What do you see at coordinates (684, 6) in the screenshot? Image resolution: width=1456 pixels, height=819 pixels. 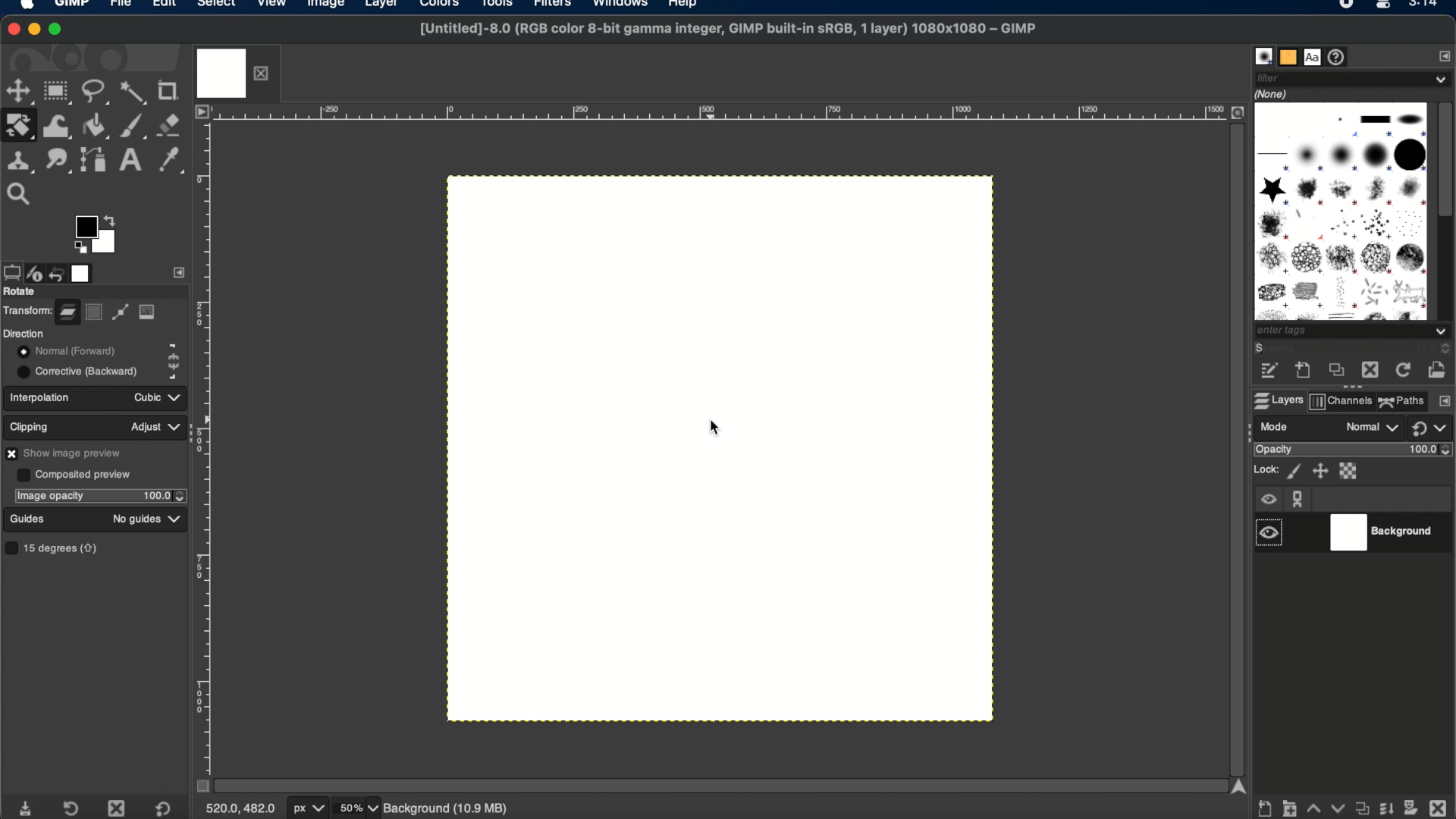 I see `help` at bounding box center [684, 6].